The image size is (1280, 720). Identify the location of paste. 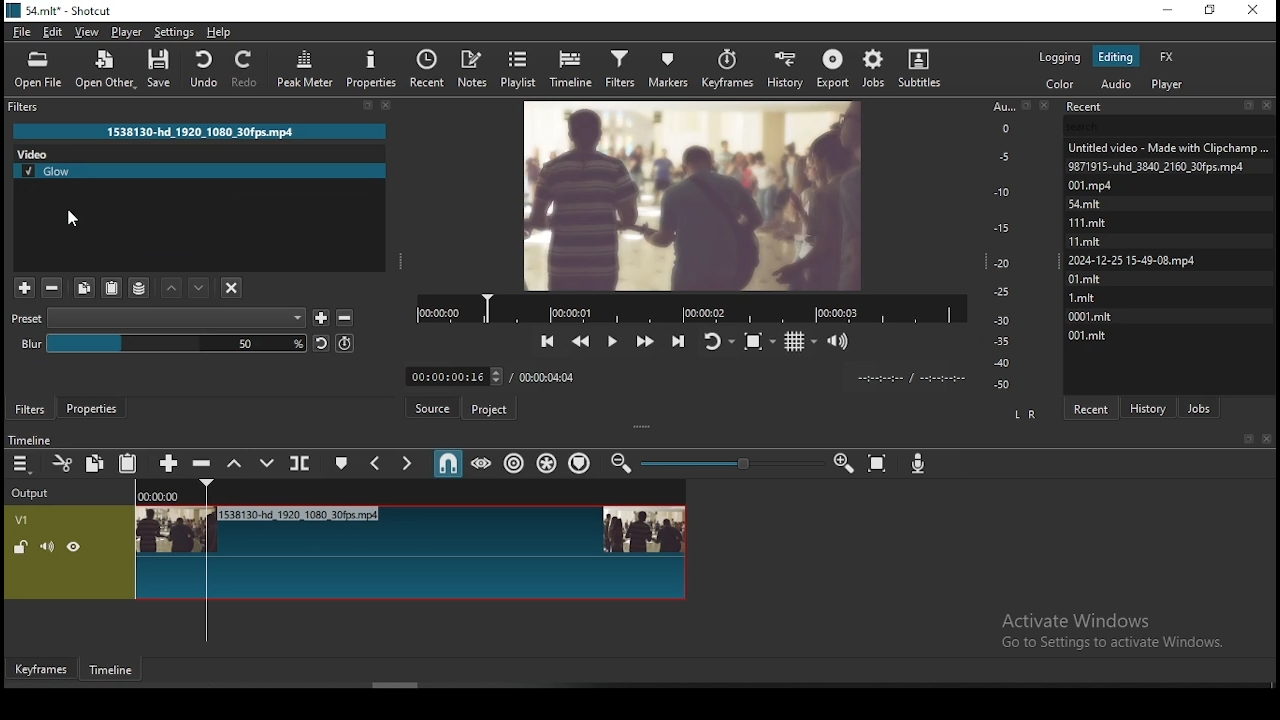
(129, 464).